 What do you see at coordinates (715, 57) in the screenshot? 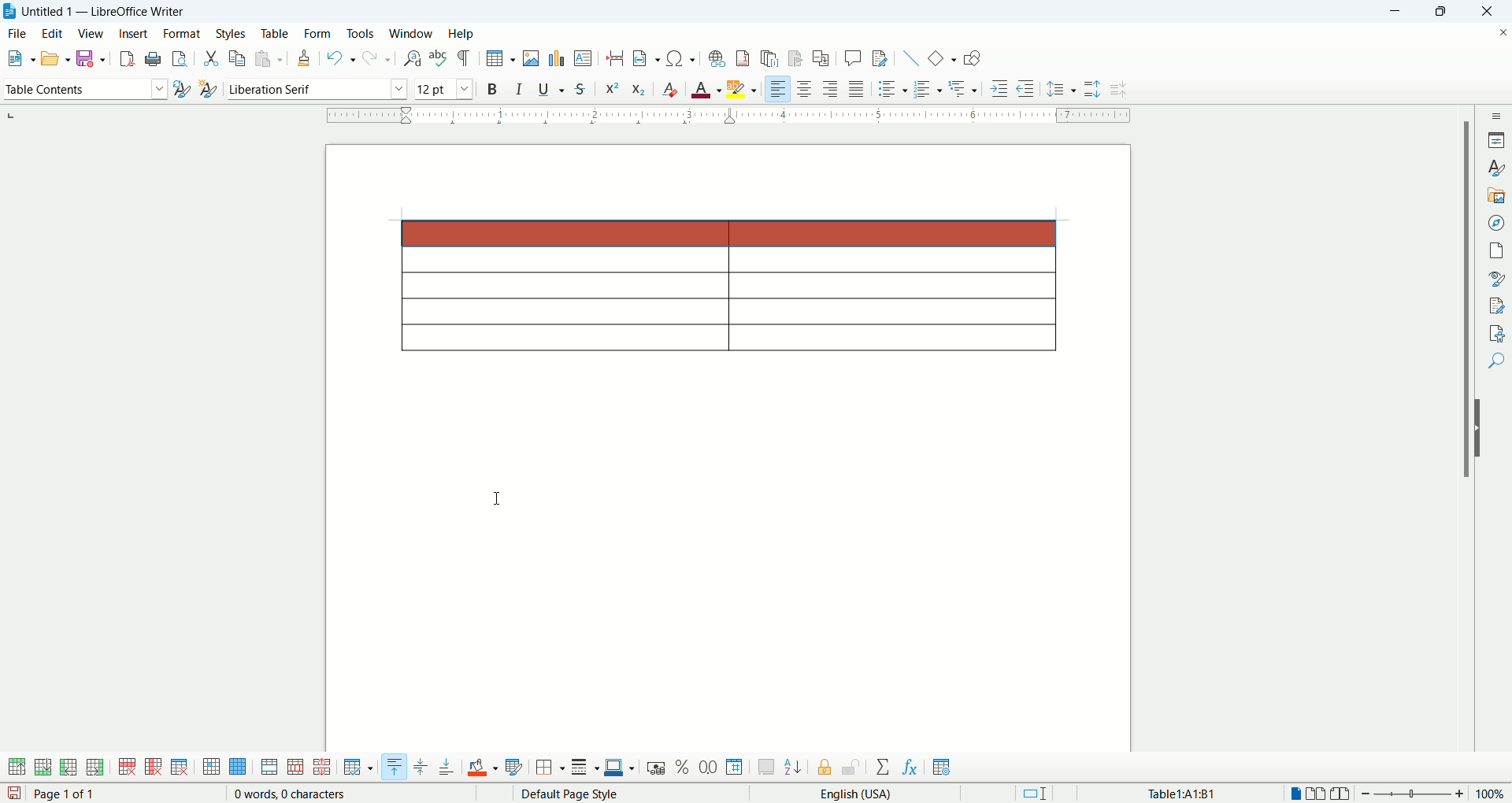
I see `insert hyperlink` at bounding box center [715, 57].